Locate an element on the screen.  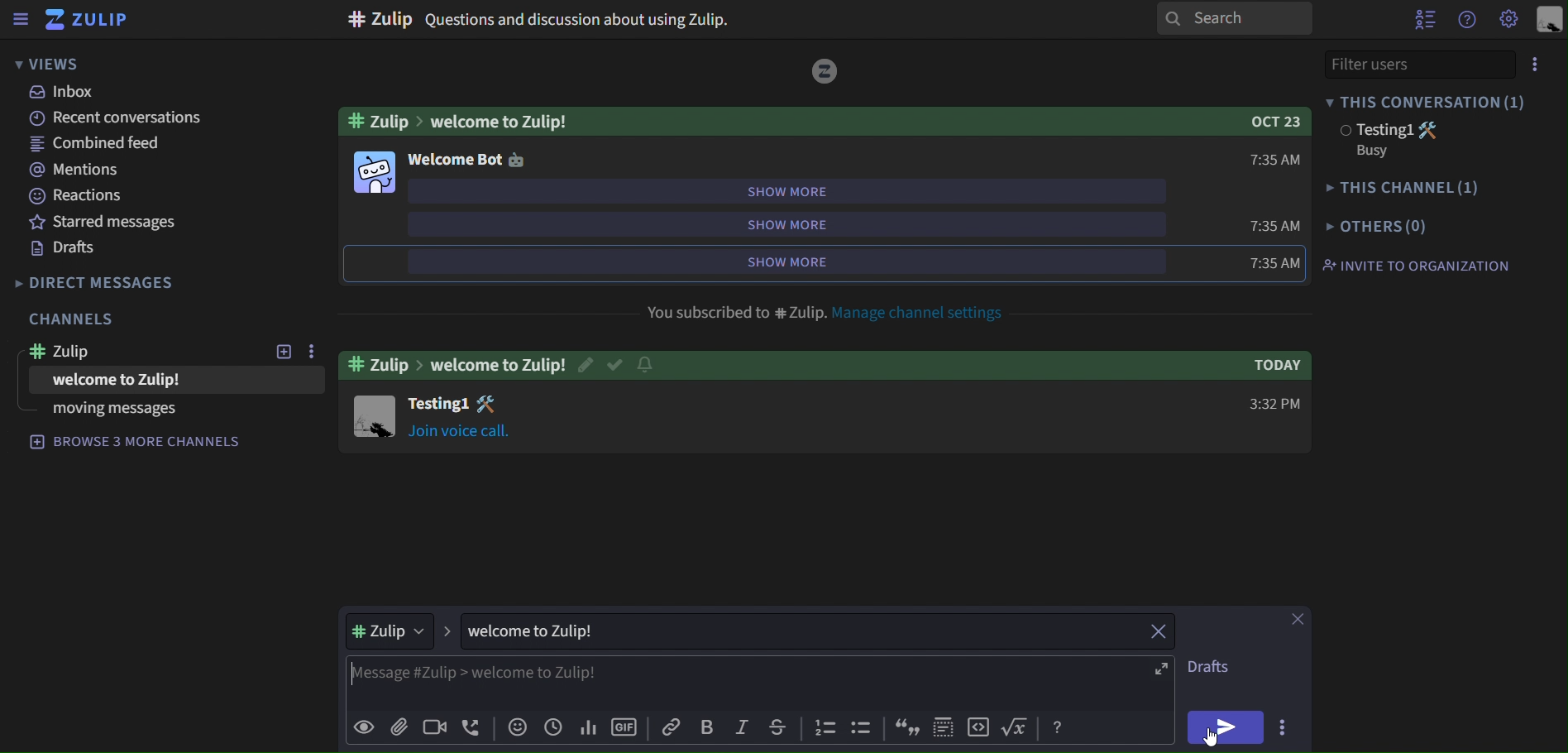
this channel(1) is located at coordinates (1403, 191).